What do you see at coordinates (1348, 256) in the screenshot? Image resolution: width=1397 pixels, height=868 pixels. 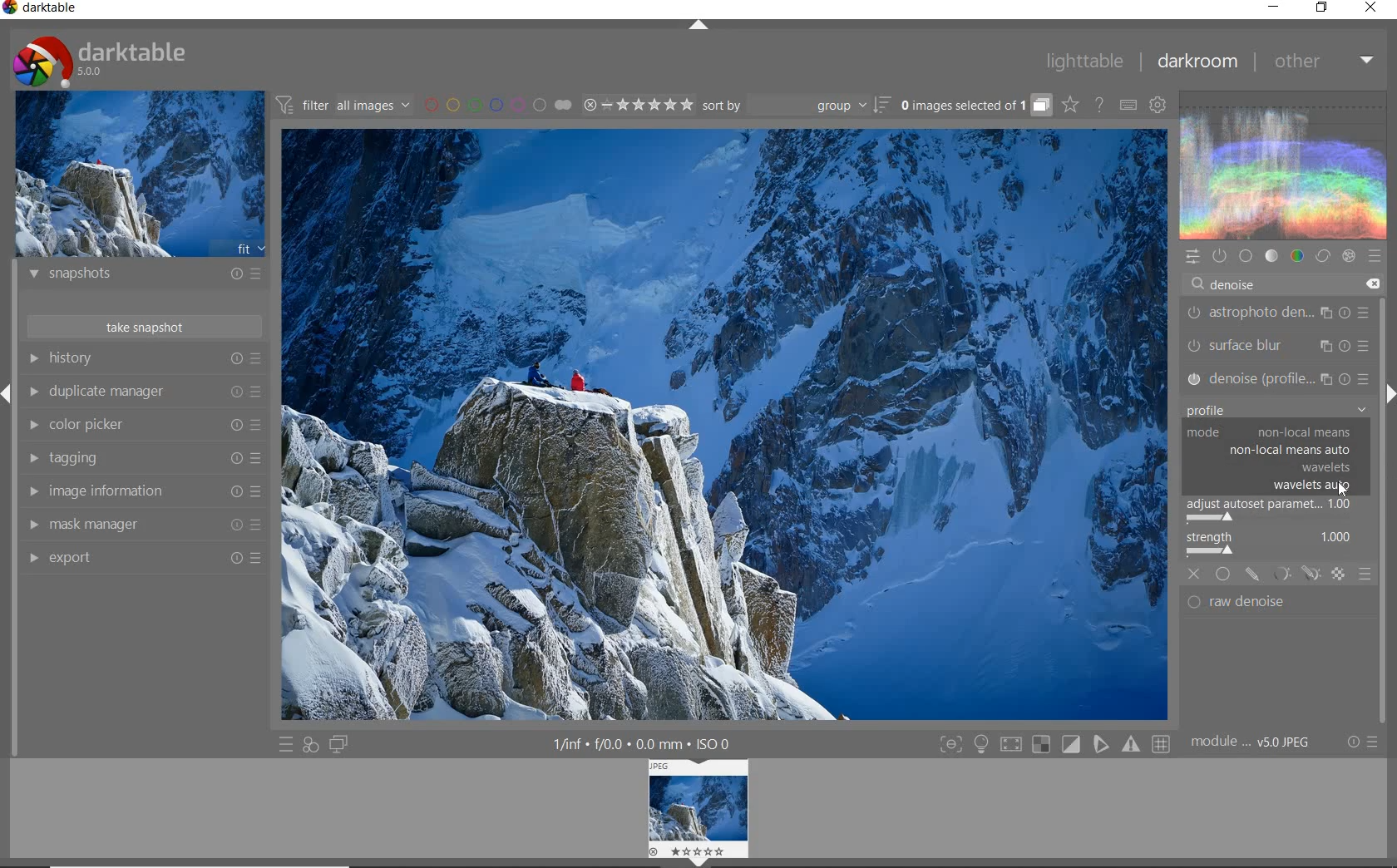 I see `effect` at bounding box center [1348, 256].